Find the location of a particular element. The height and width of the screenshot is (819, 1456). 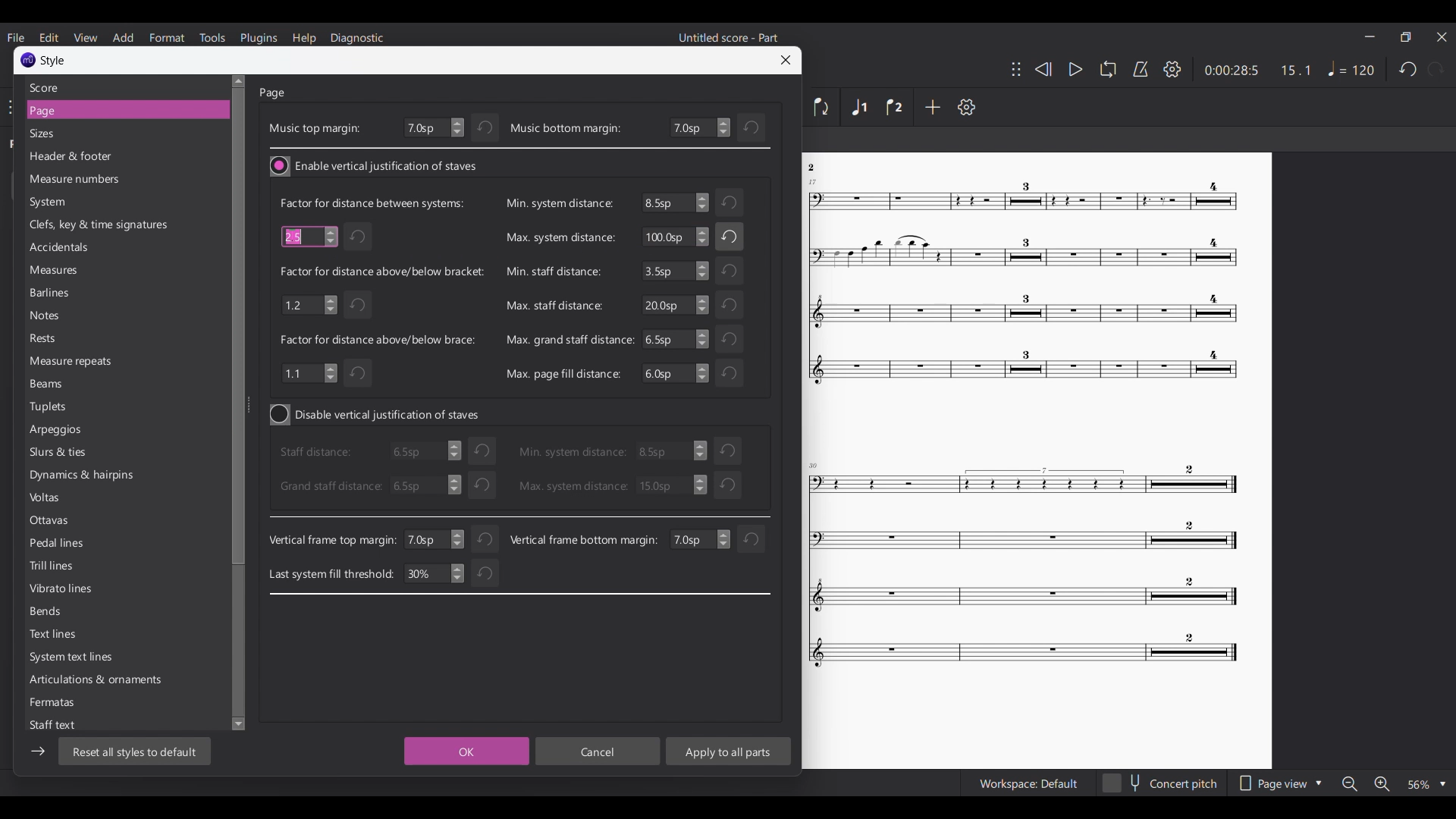

Top margin settings is located at coordinates (434, 128).